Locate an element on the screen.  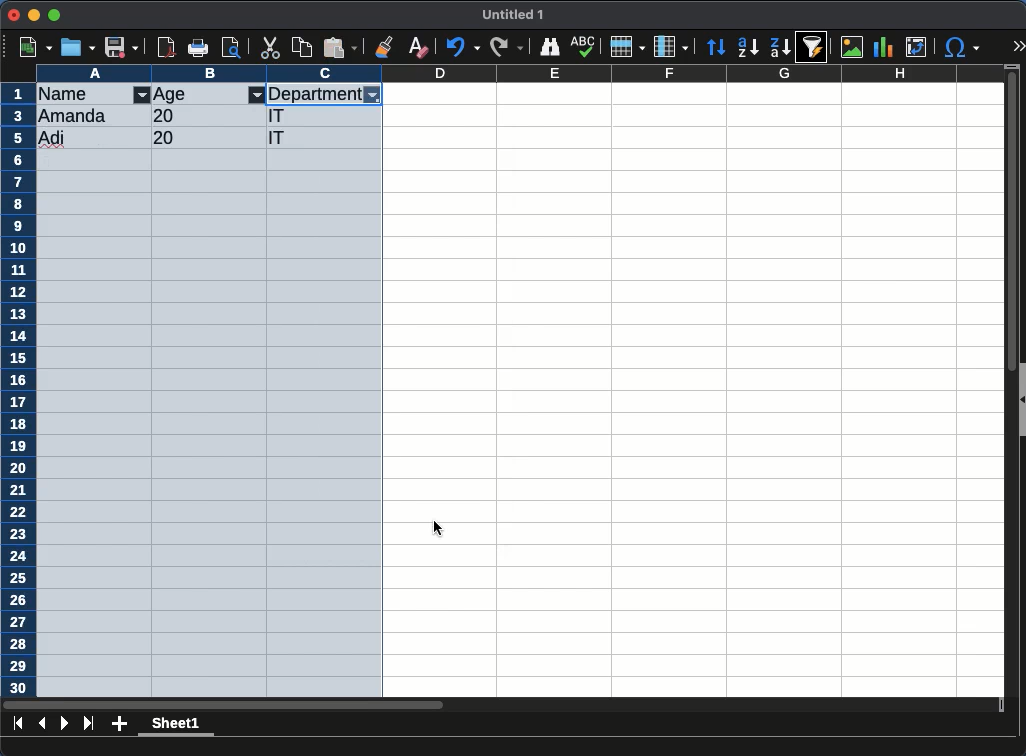
rows is located at coordinates (18, 390).